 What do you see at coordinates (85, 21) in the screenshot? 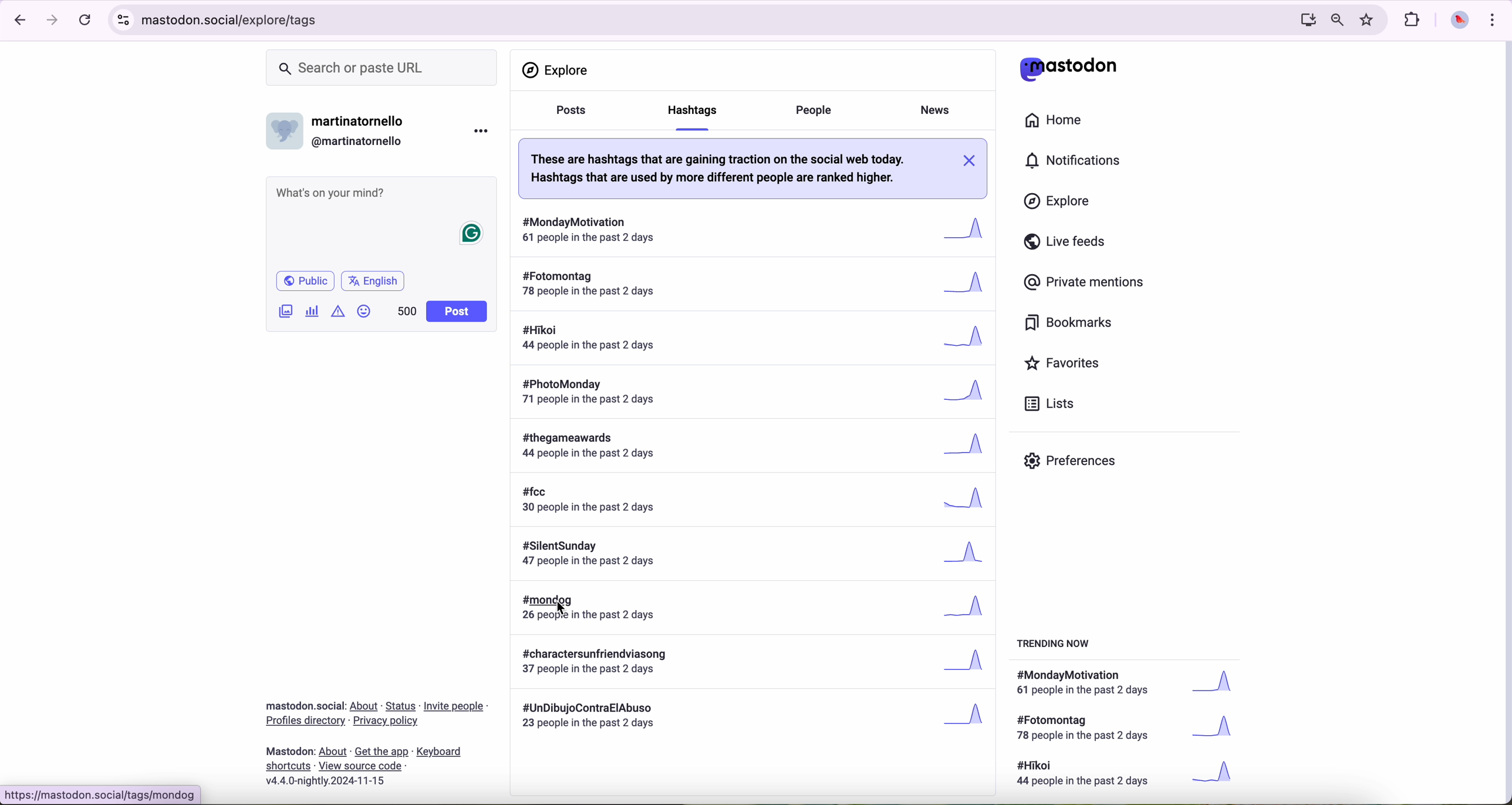
I see `refresh the page` at bounding box center [85, 21].